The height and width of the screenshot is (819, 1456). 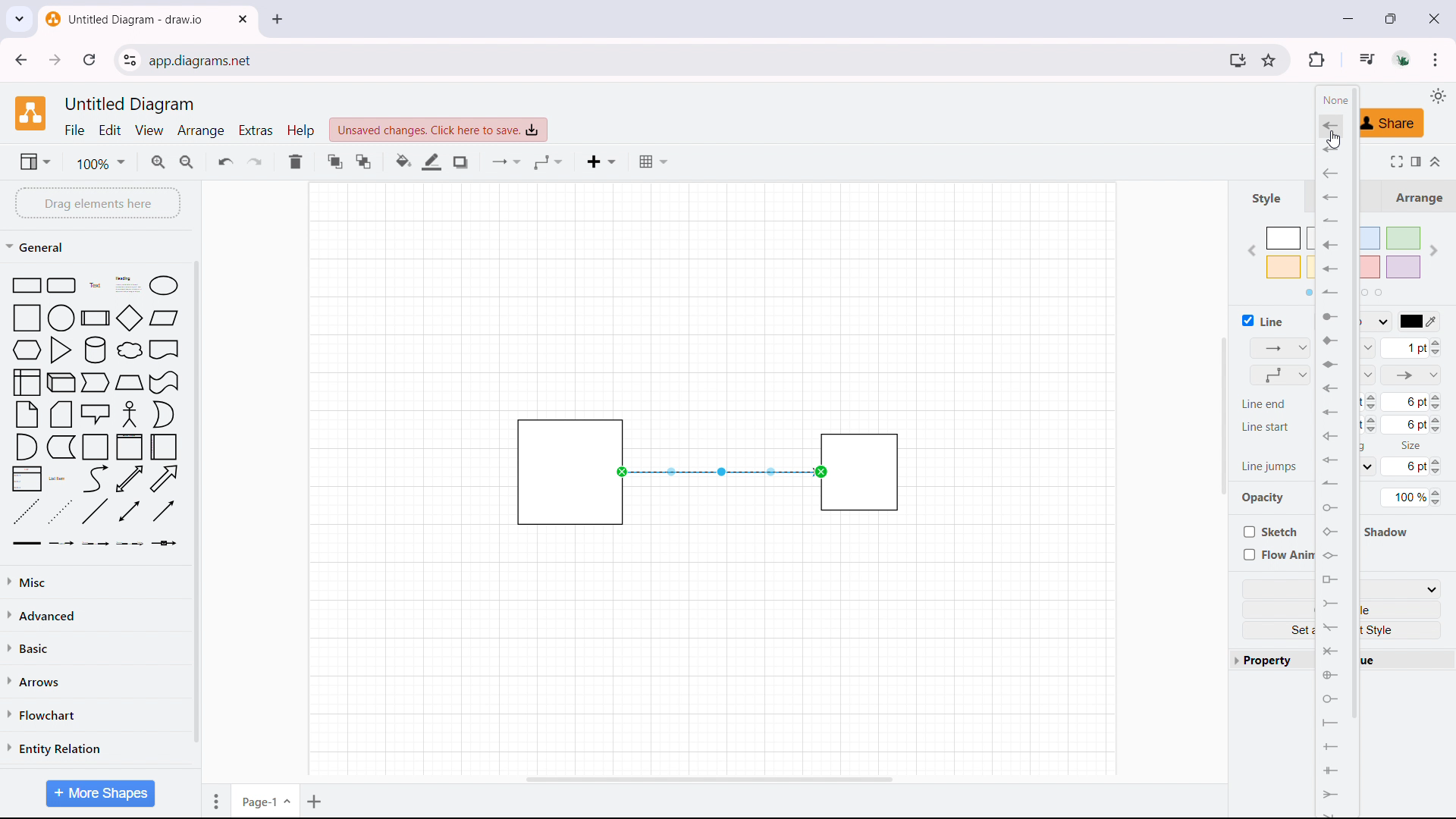 What do you see at coordinates (1394, 17) in the screenshot?
I see `maximize` at bounding box center [1394, 17].